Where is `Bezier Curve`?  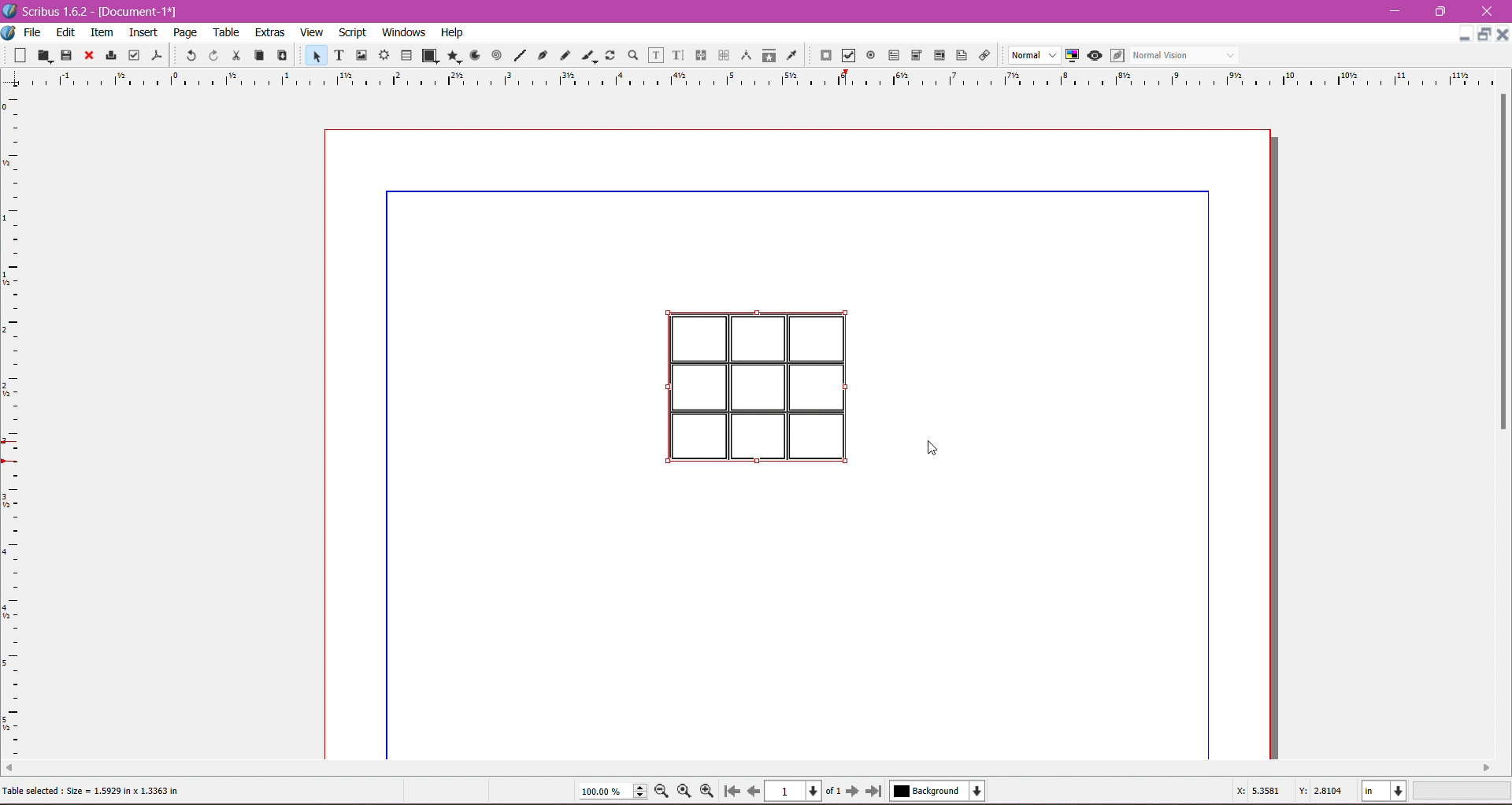
Bezier Curve is located at coordinates (541, 54).